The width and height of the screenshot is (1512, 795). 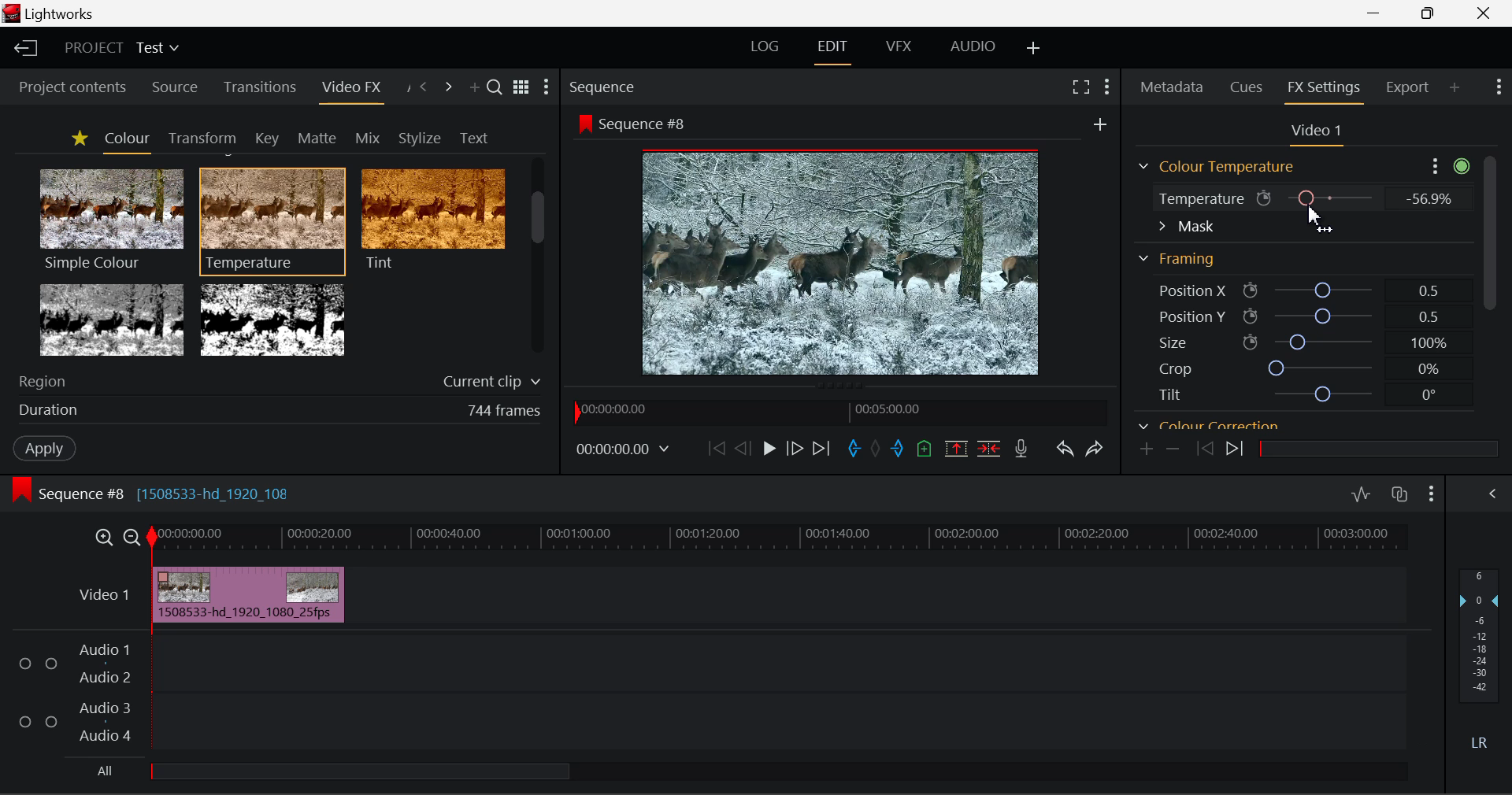 What do you see at coordinates (1430, 319) in the screenshot?
I see `0.5` at bounding box center [1430, 319].